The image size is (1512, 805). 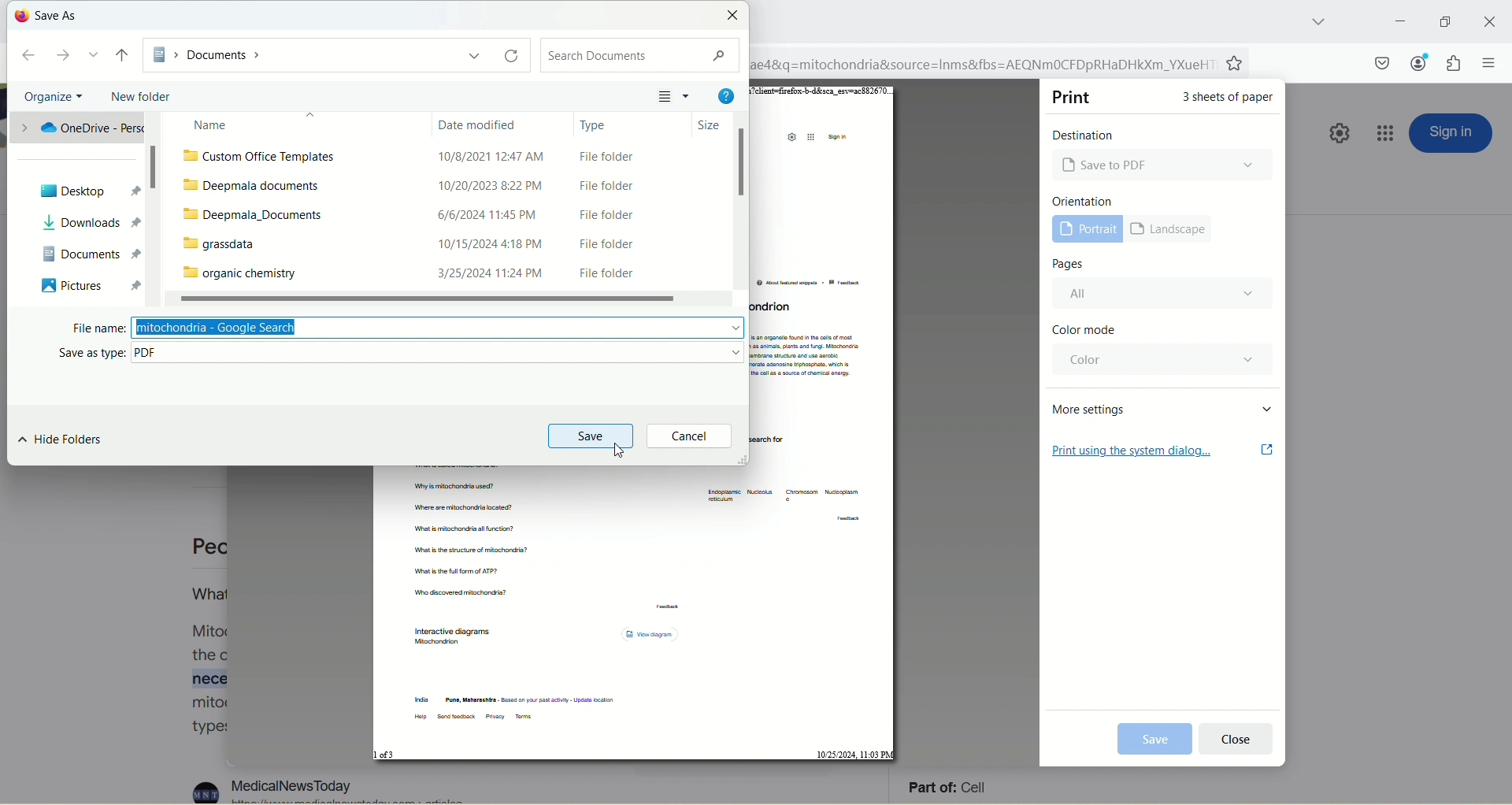 I want to click on open application menu, so click(x=1488, y=65).